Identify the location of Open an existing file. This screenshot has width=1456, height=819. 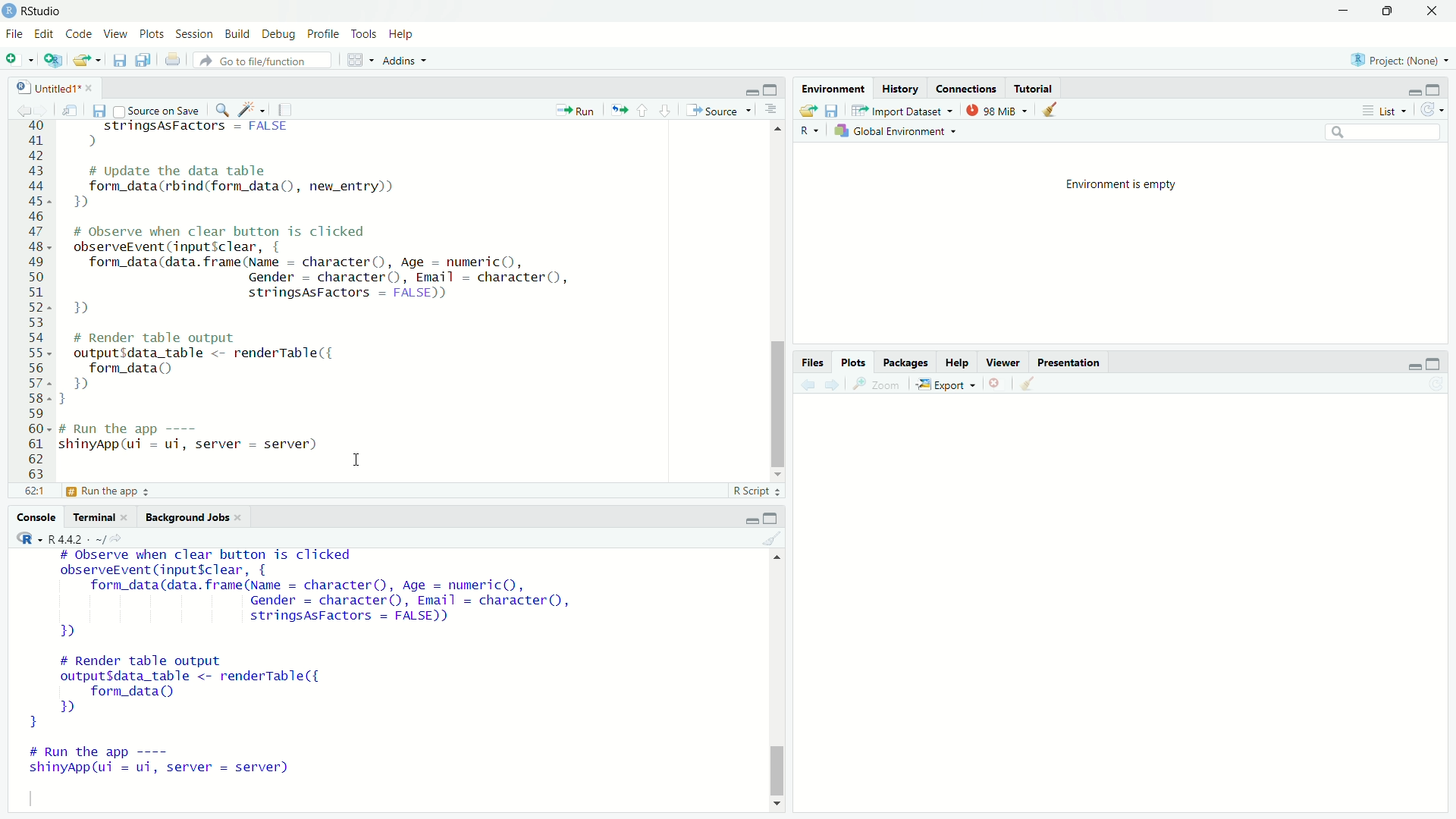
(88, 61).